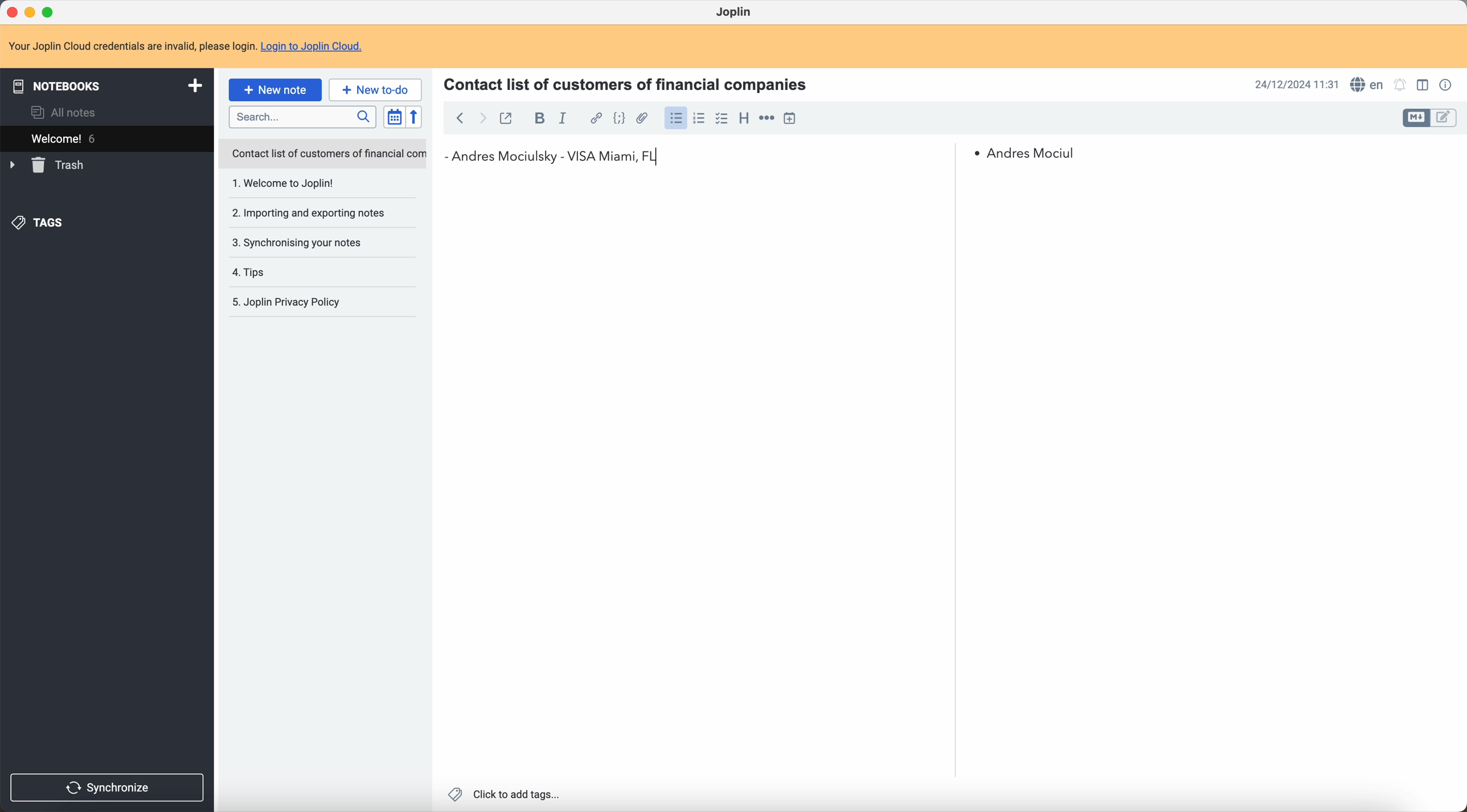 The width and height of the screenshot is (1467, 812). What do you see at coordinates (377, 89) in the screenshot?
I see `new to-do` at bounding box center [377, 89].